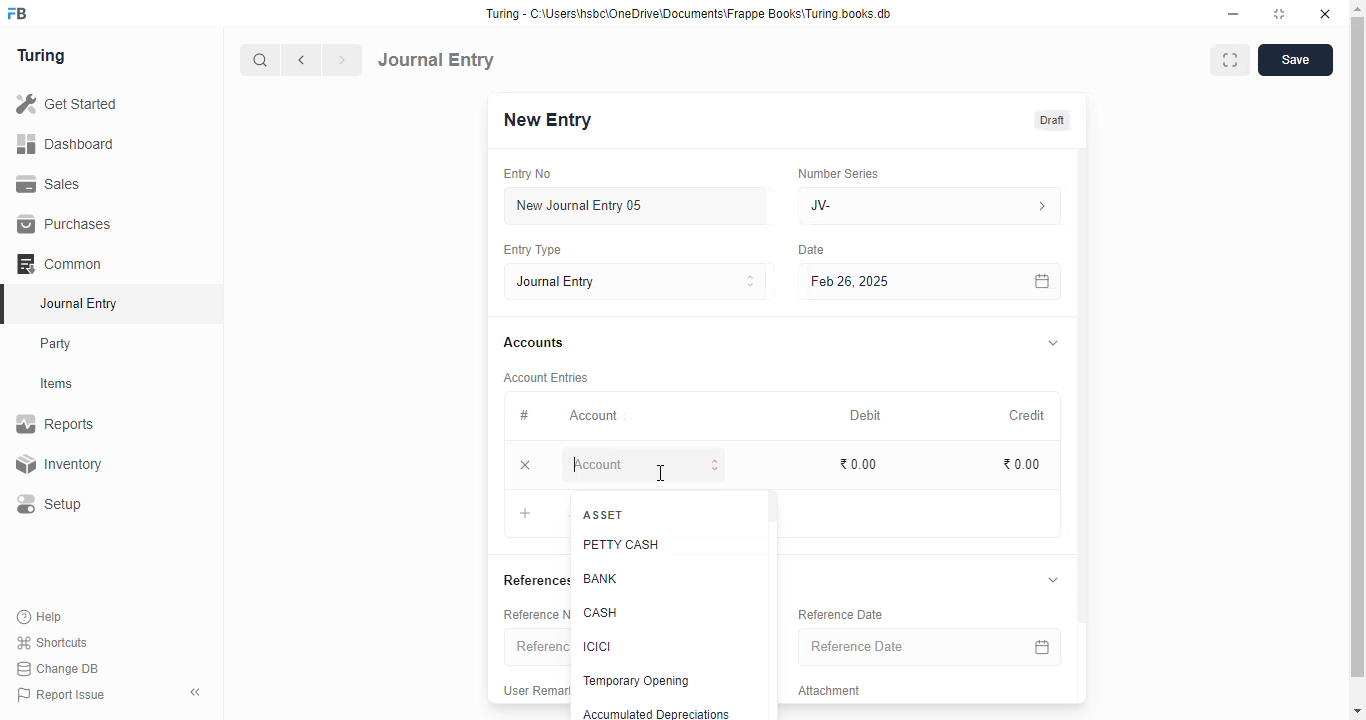 The height and width of the screenshot is (720, 1366). Describe the element at coordinates (1084, 424) in the screenshot. I see `scroll bar` at that location.